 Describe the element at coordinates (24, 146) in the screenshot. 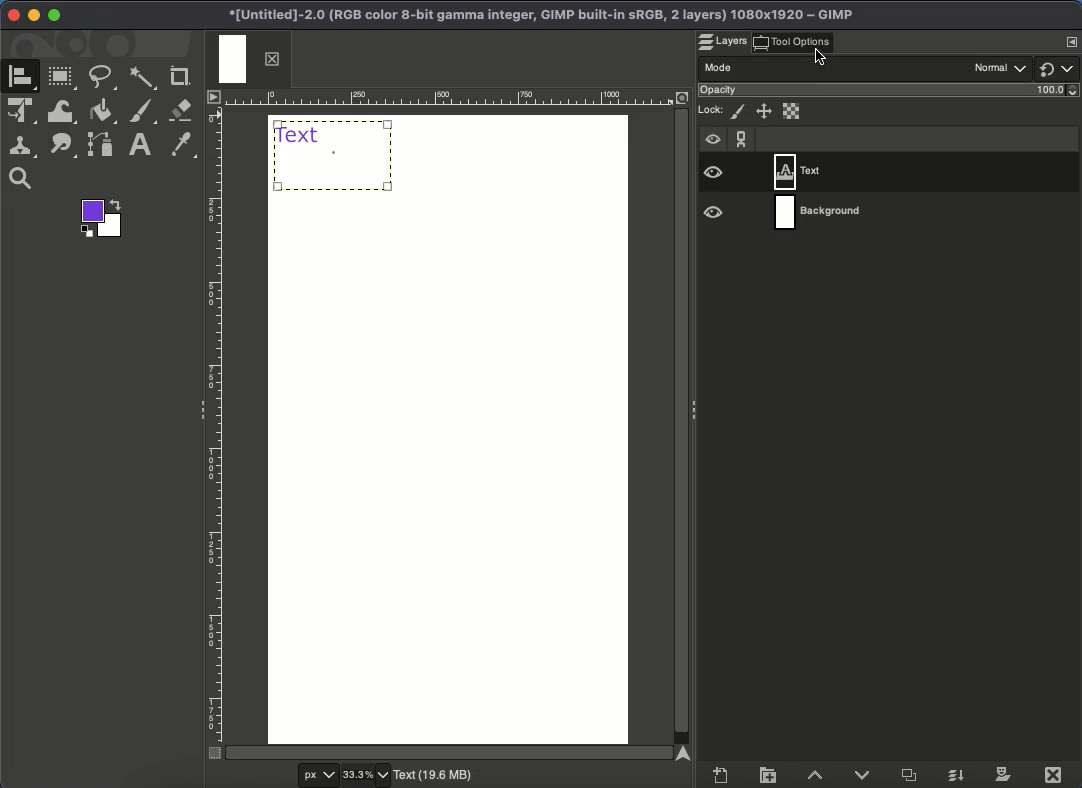

I see `Clone` at that location.